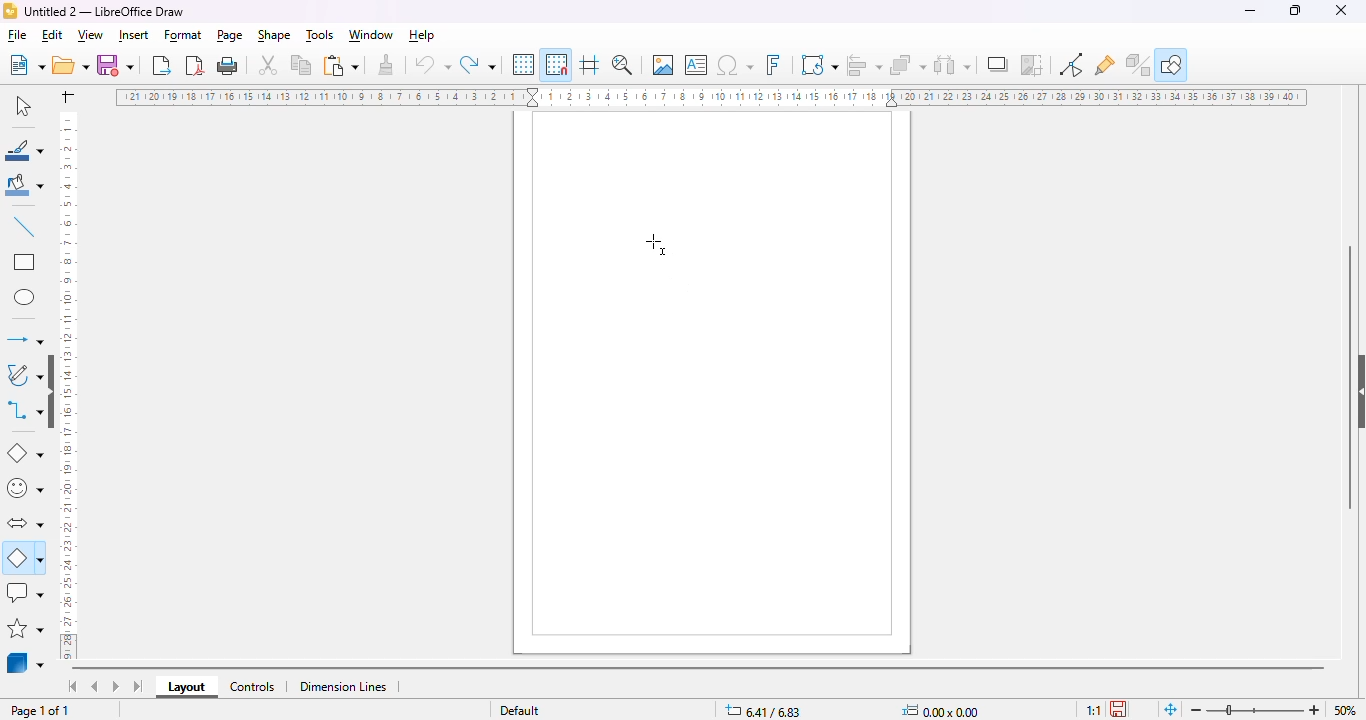  Describe the element at coordinates (696, 65) in the screenshot. I see `insert text box` at that location.